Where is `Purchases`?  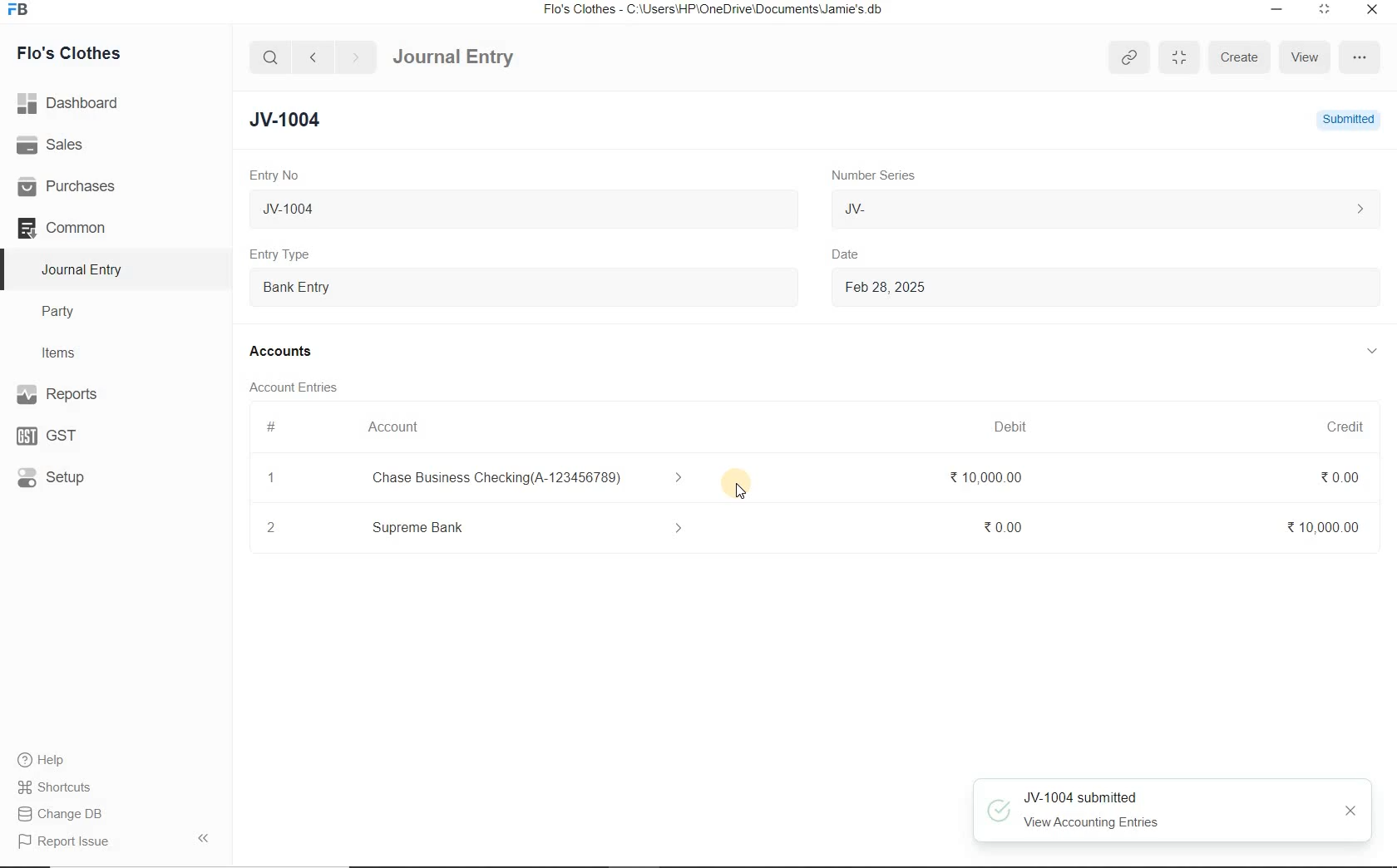
Purchases is located at coordinates (74, 185).